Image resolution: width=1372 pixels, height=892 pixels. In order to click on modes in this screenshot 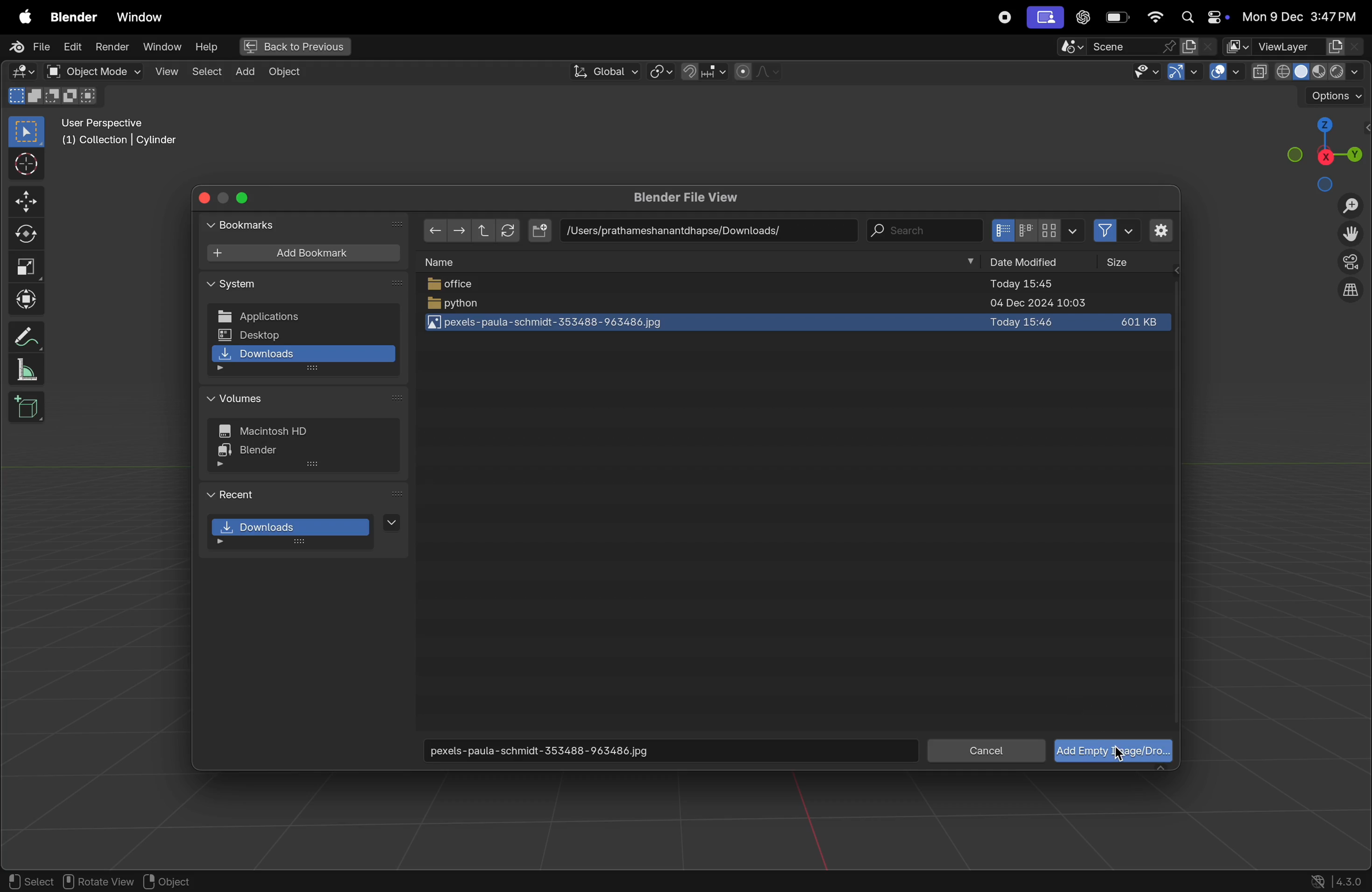, I will do `click(56, 97)`.